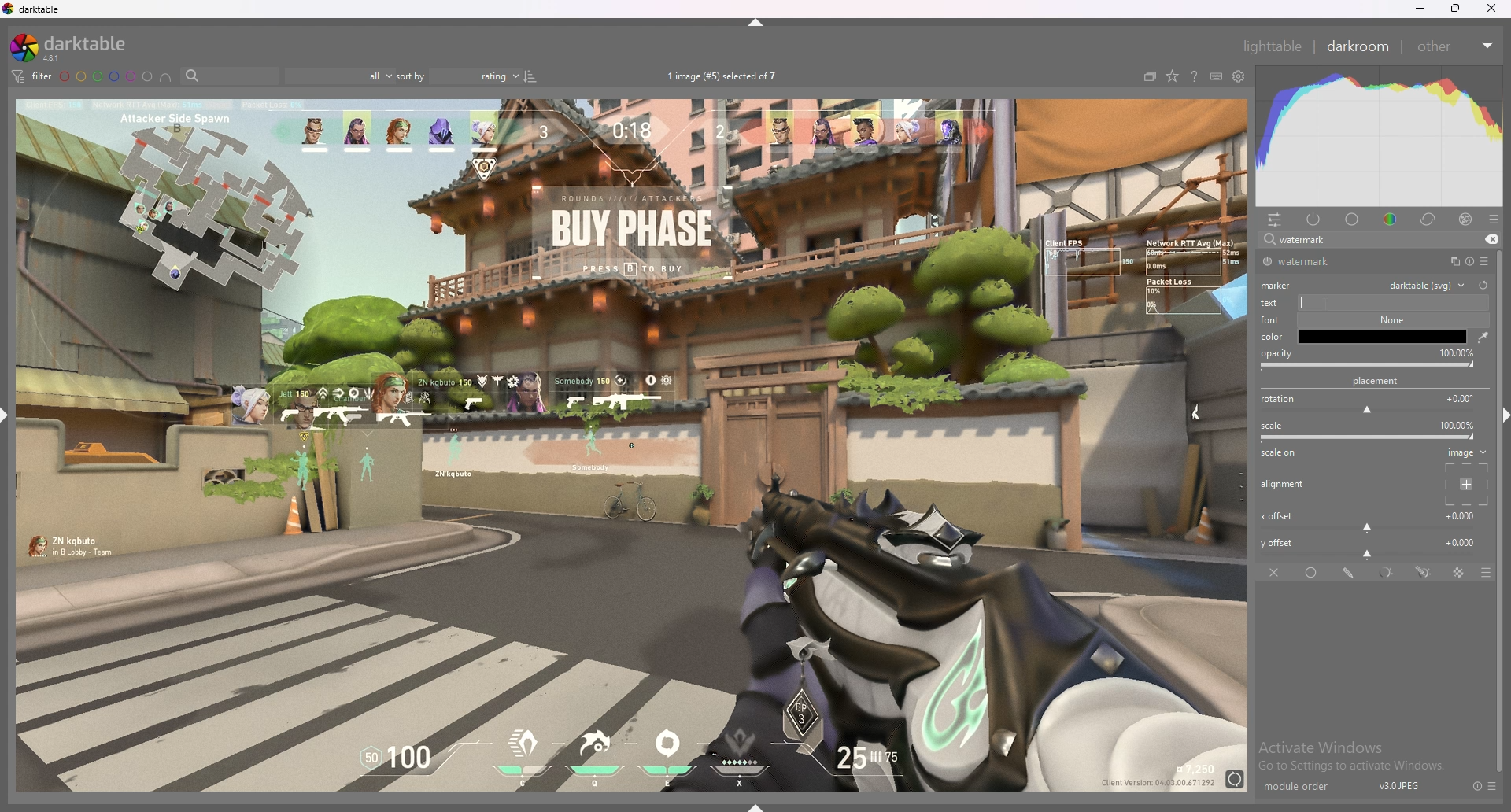 This screenshot has width=1511, height=812. I want to click on photo, so click(630, 443).